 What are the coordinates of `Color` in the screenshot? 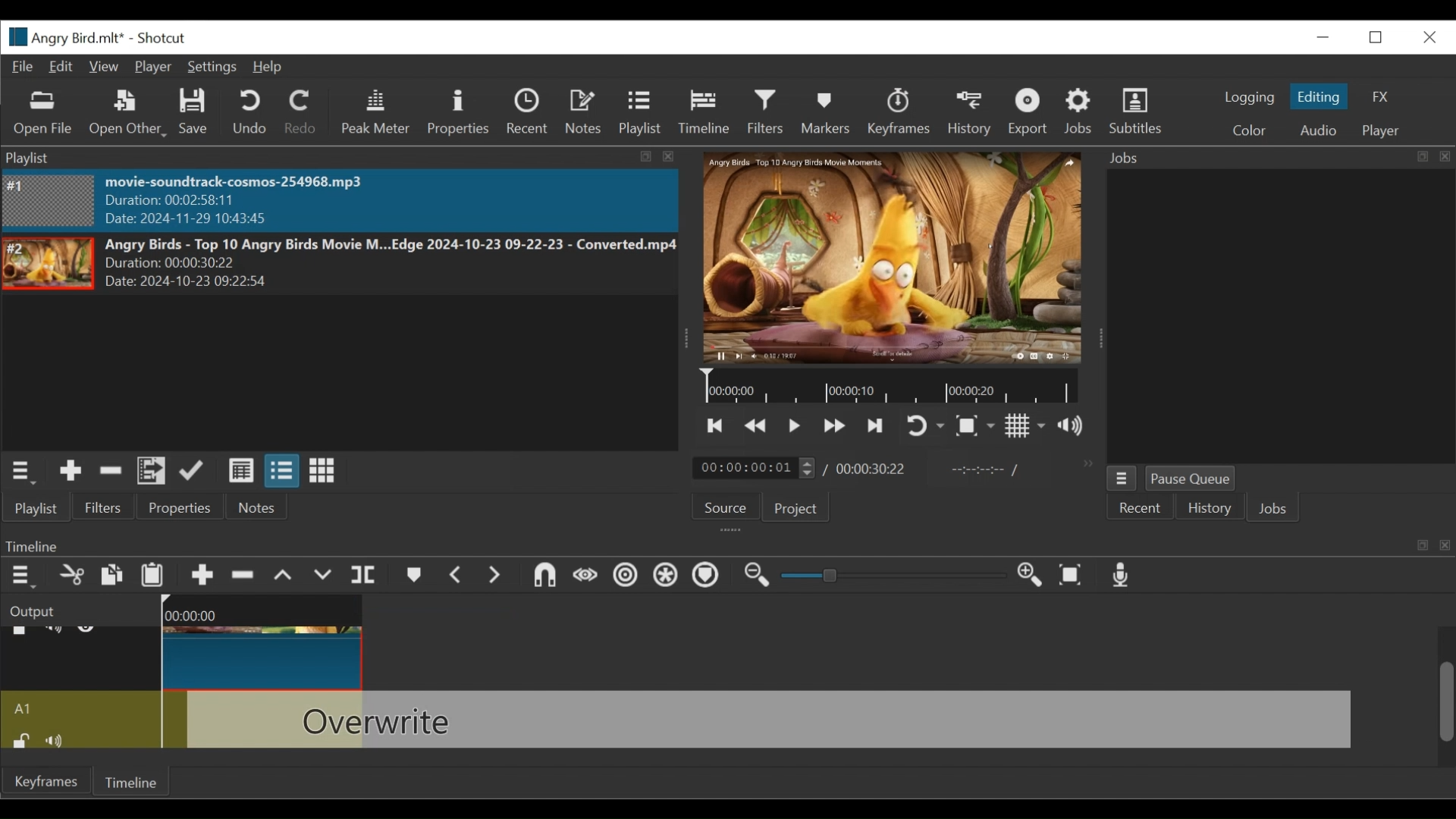 It's located at (1250, 131).